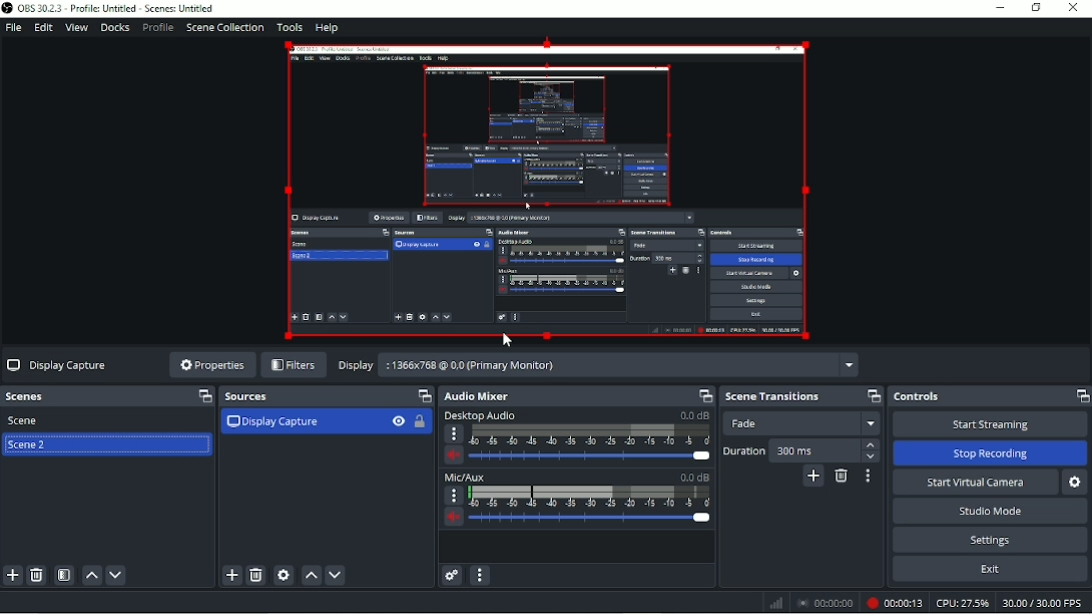  Describe the element at coordinates (65, 576) in the screenshot. I see `Open scene filters` at that location.